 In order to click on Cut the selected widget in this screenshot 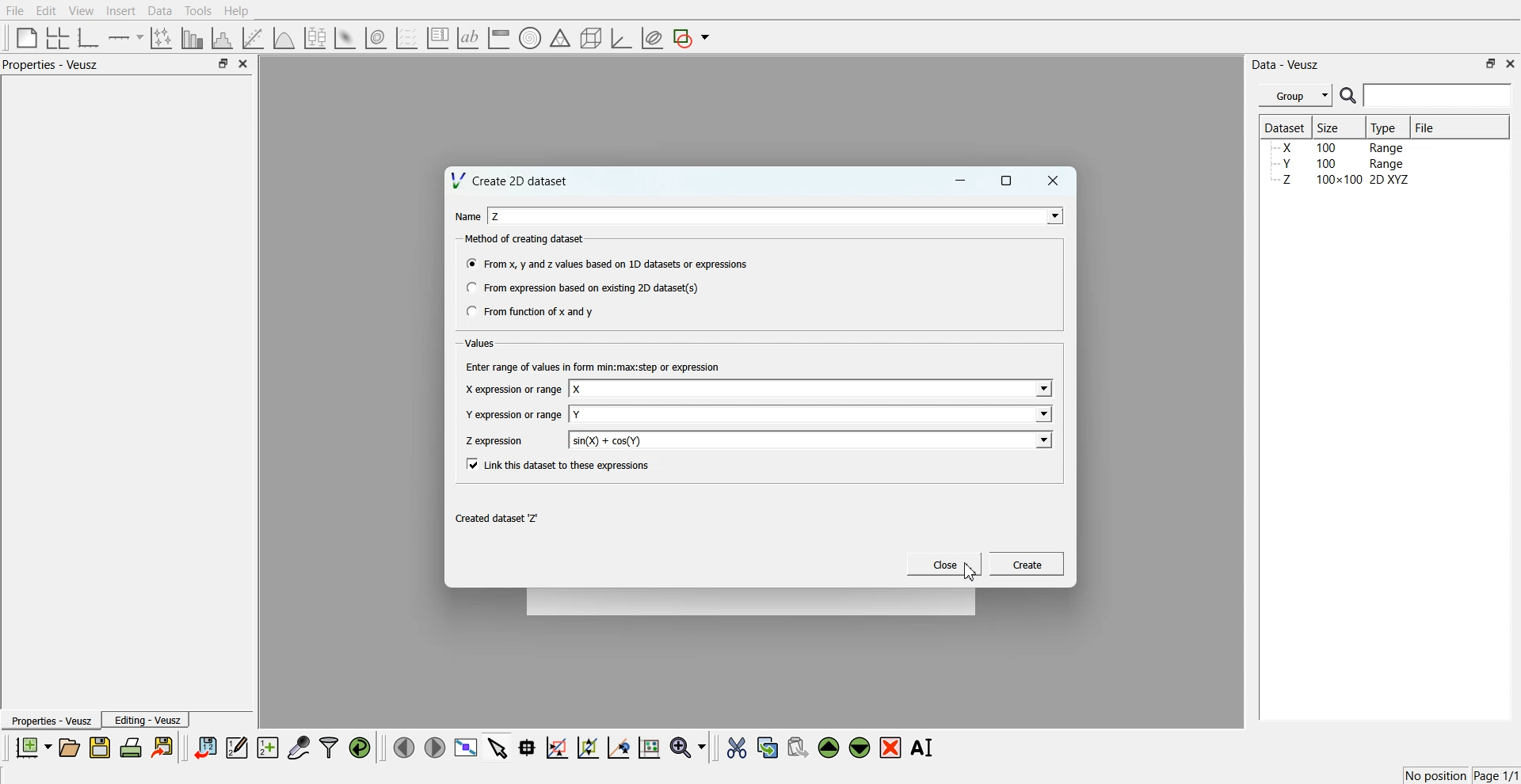, I will do `click(737, 748)`.